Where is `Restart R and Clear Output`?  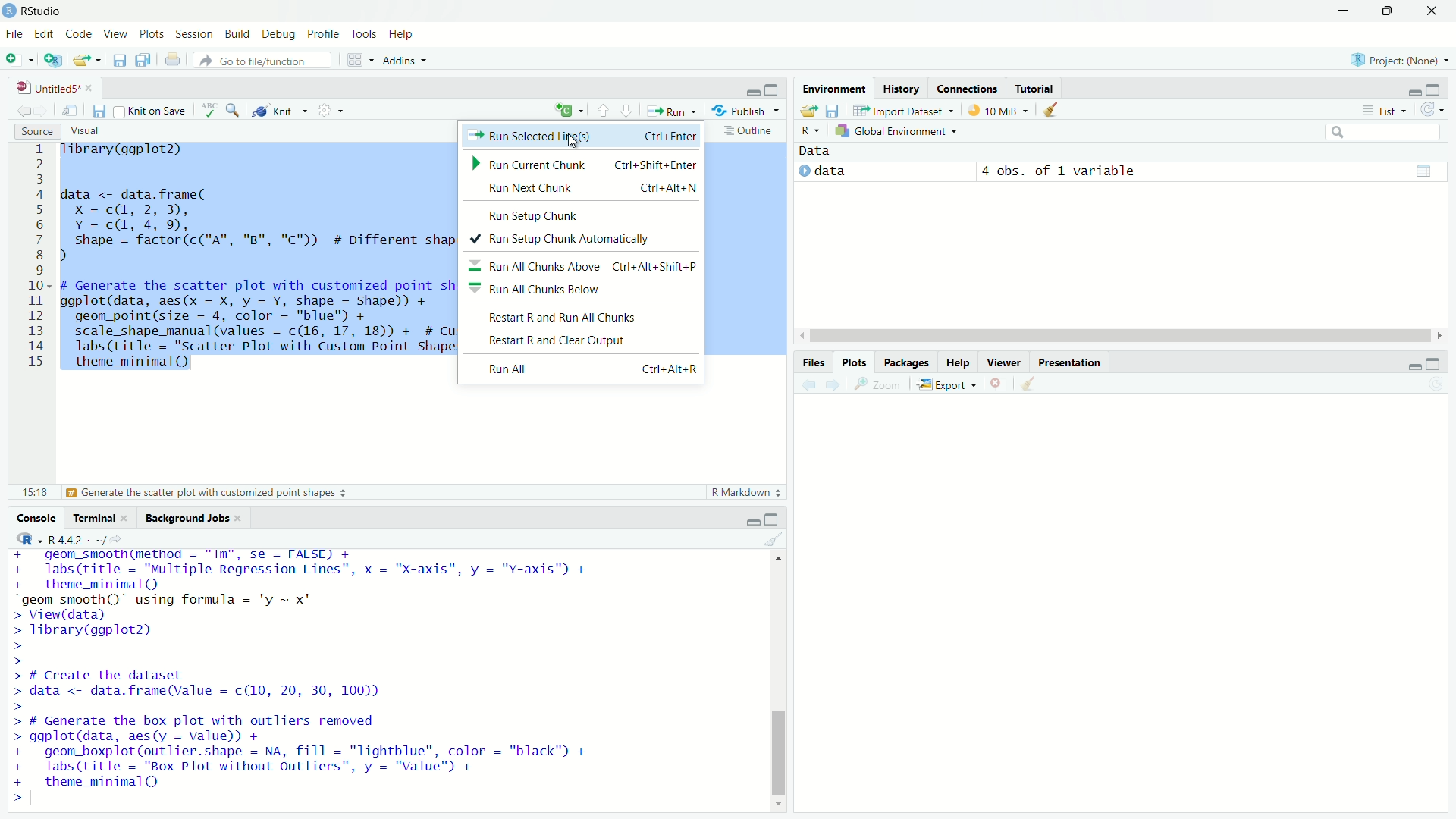
Restart R and Clear Output is located at coordinates (580, 341).